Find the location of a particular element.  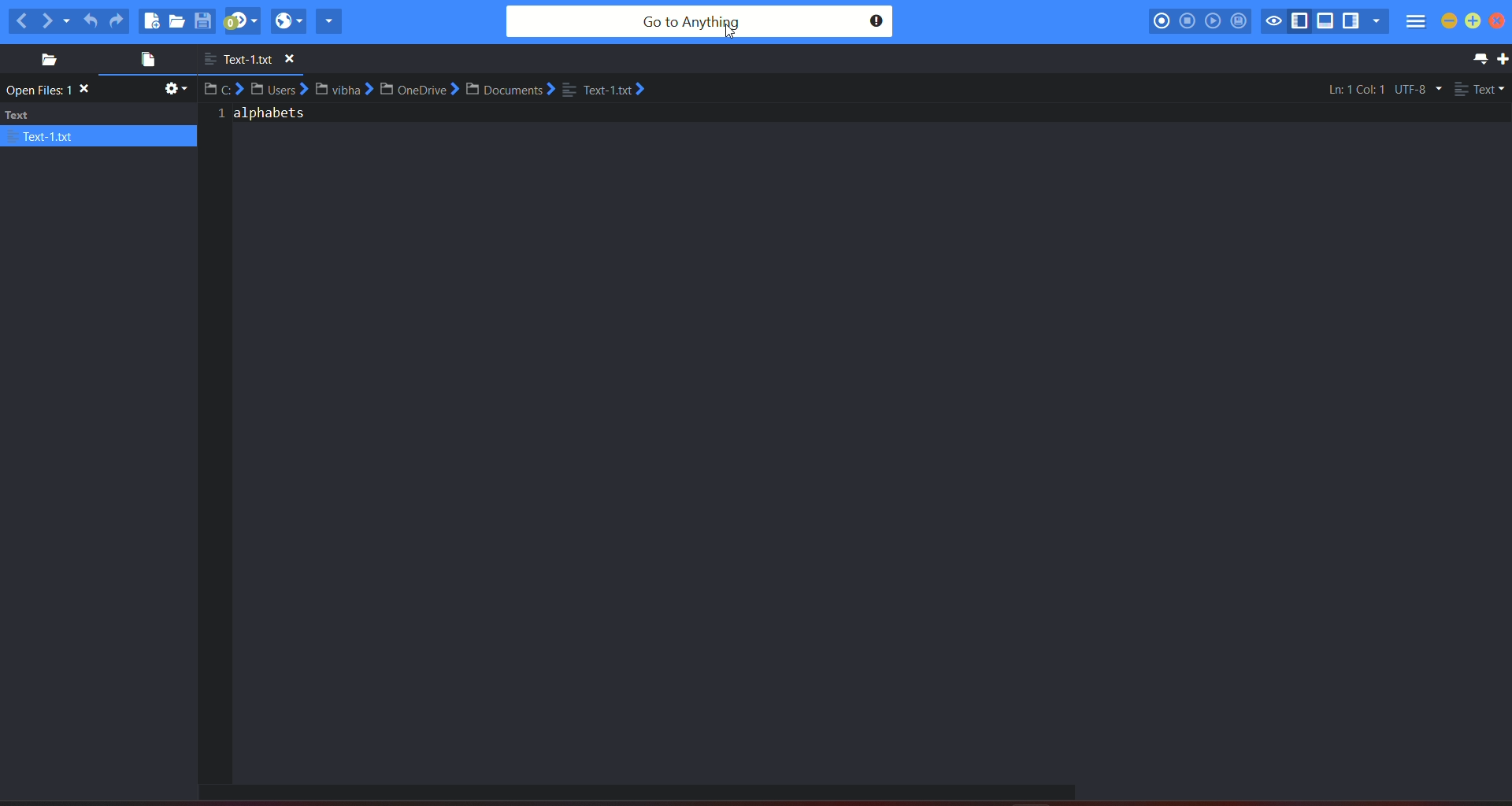

list all tab is located at coordinates (1477, 58).